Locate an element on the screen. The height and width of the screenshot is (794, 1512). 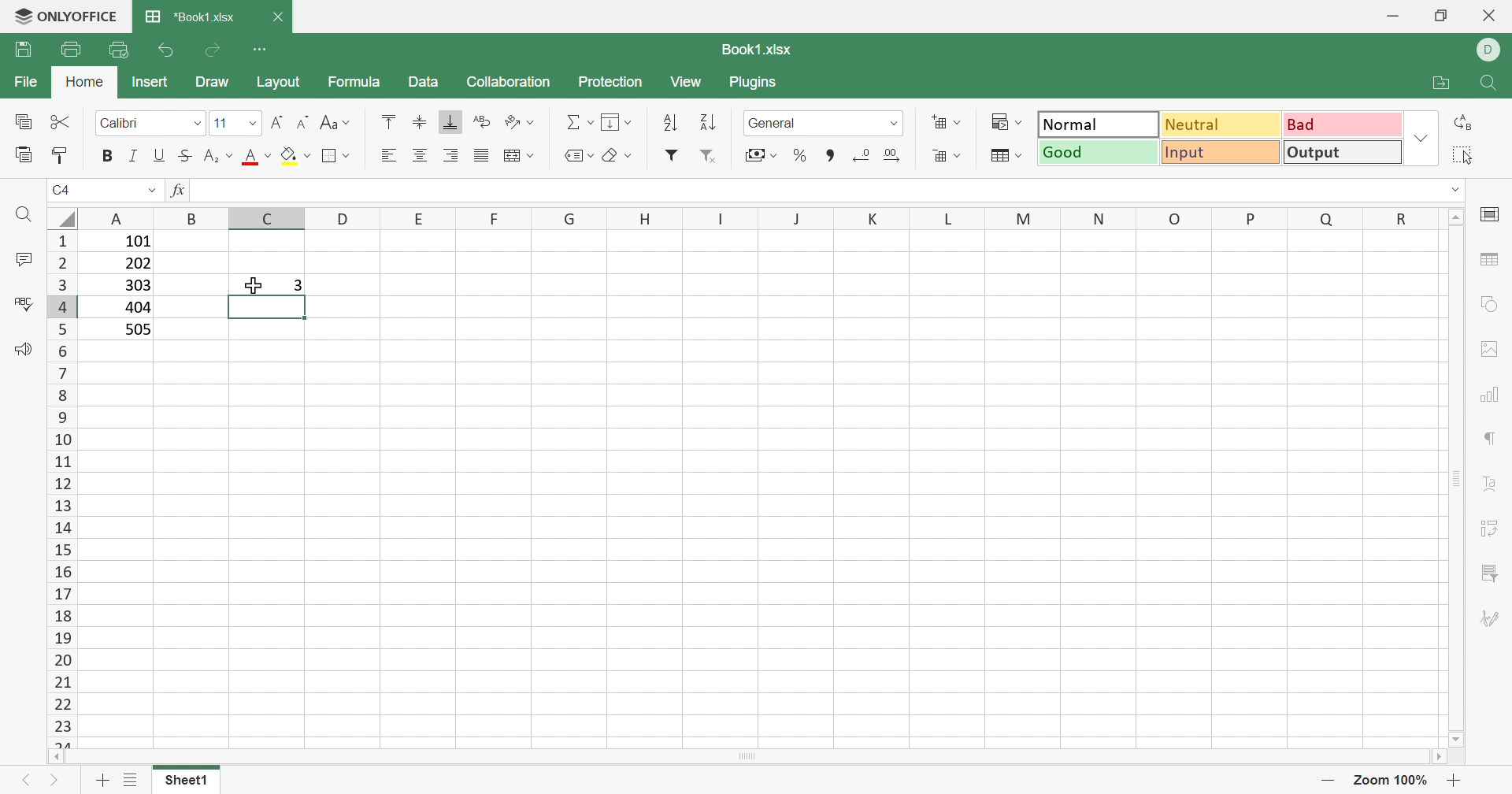
Quick print is located at coordinates (121, 49).